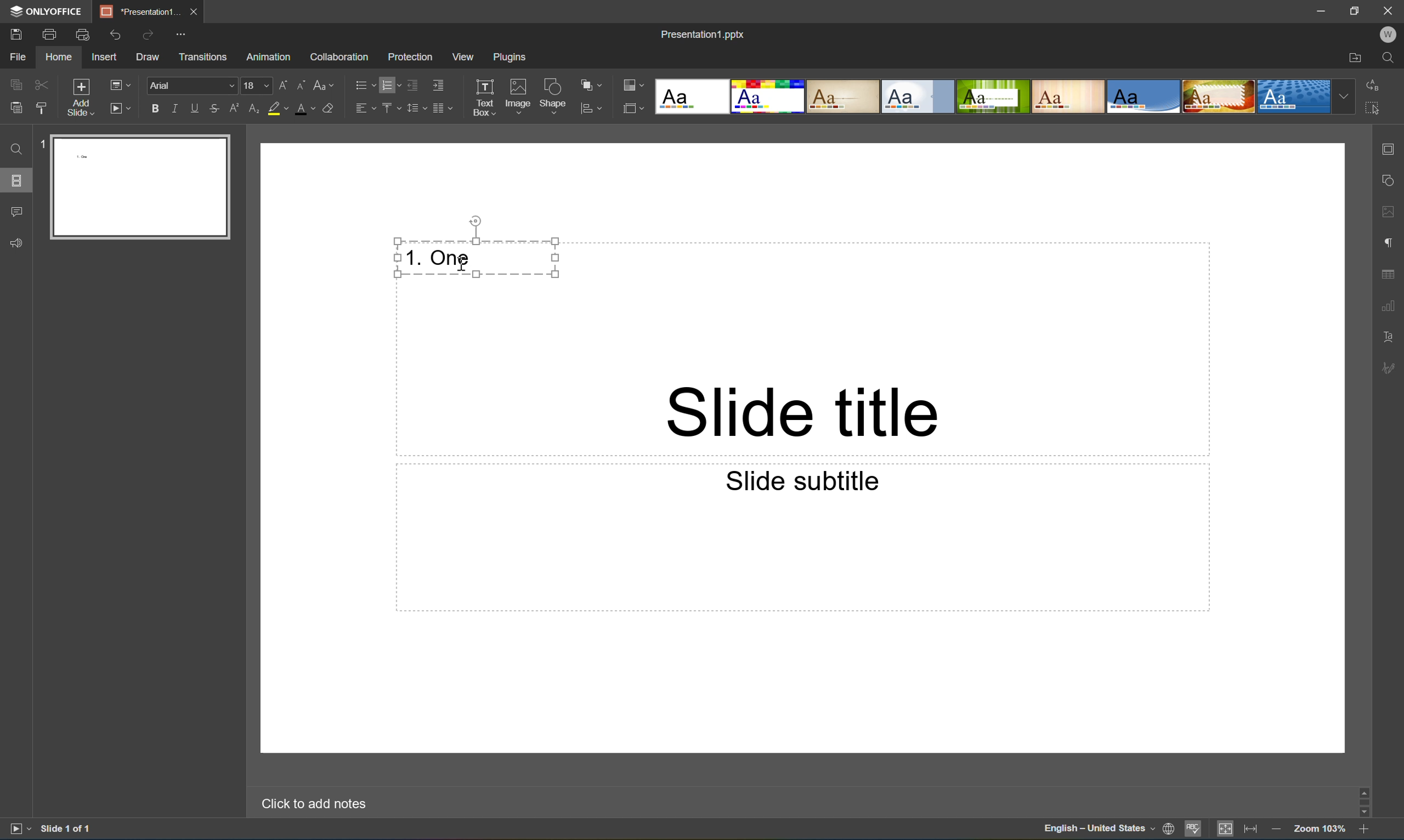 This screenshot has height=840, width=1404. Describe the element at coordinates (14, 33) in the screenshot. I see `Save` at that location.